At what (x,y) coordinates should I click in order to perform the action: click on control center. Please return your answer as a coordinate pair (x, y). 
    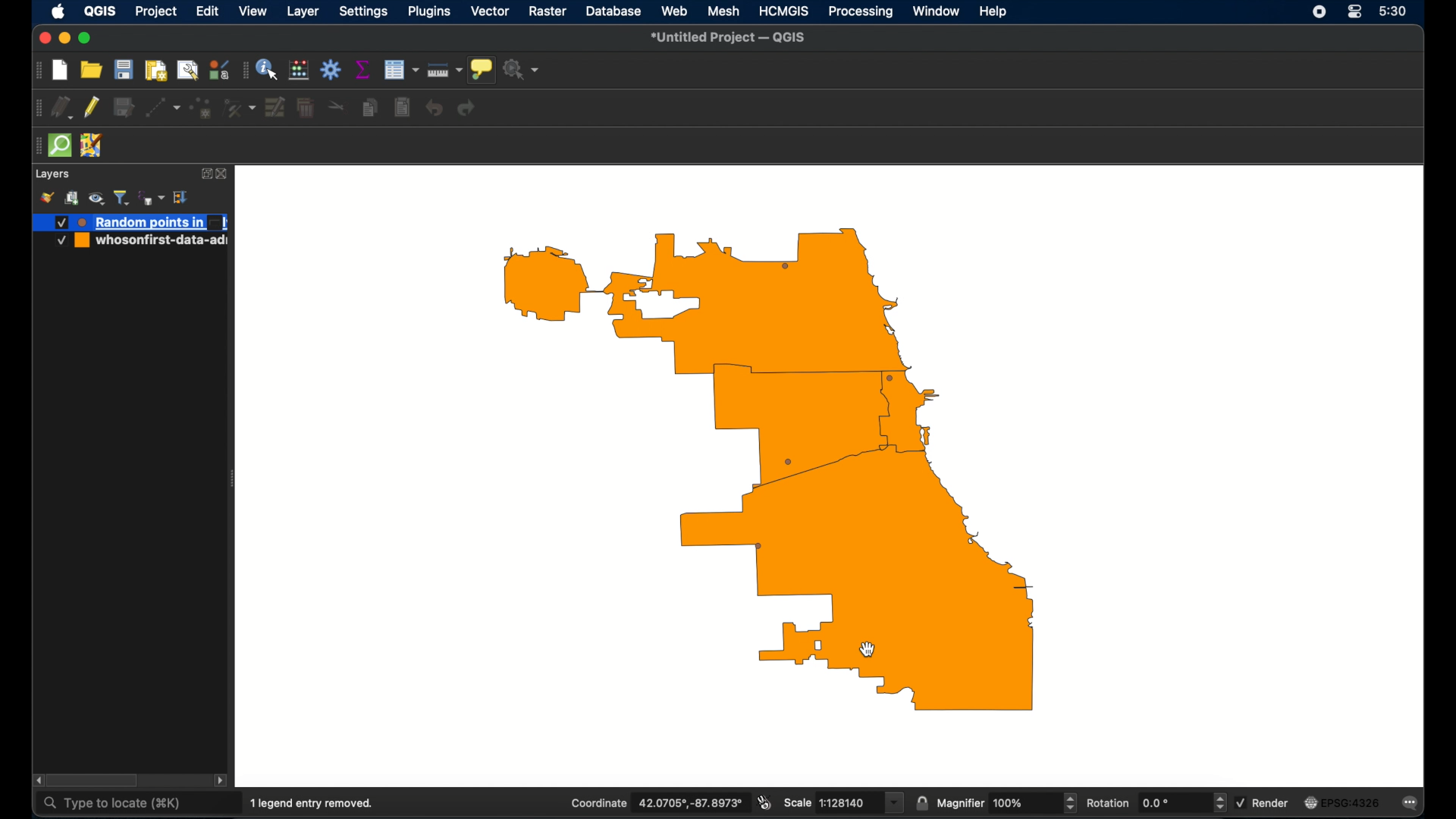
    Looking at the image, I should click on (1354, 12).